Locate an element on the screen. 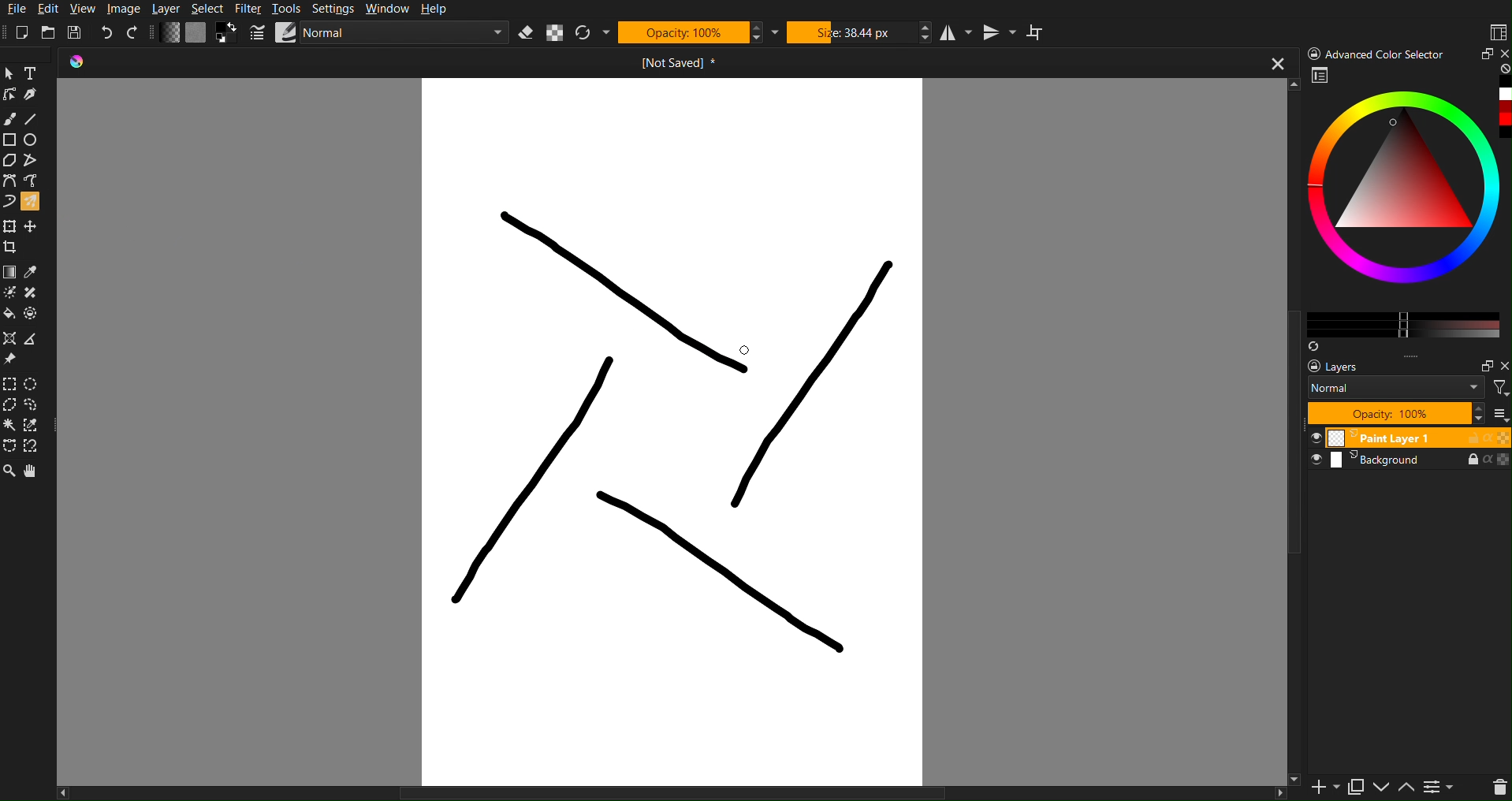 The image size is (1512, 801). New is located at coordinates (27, 30).